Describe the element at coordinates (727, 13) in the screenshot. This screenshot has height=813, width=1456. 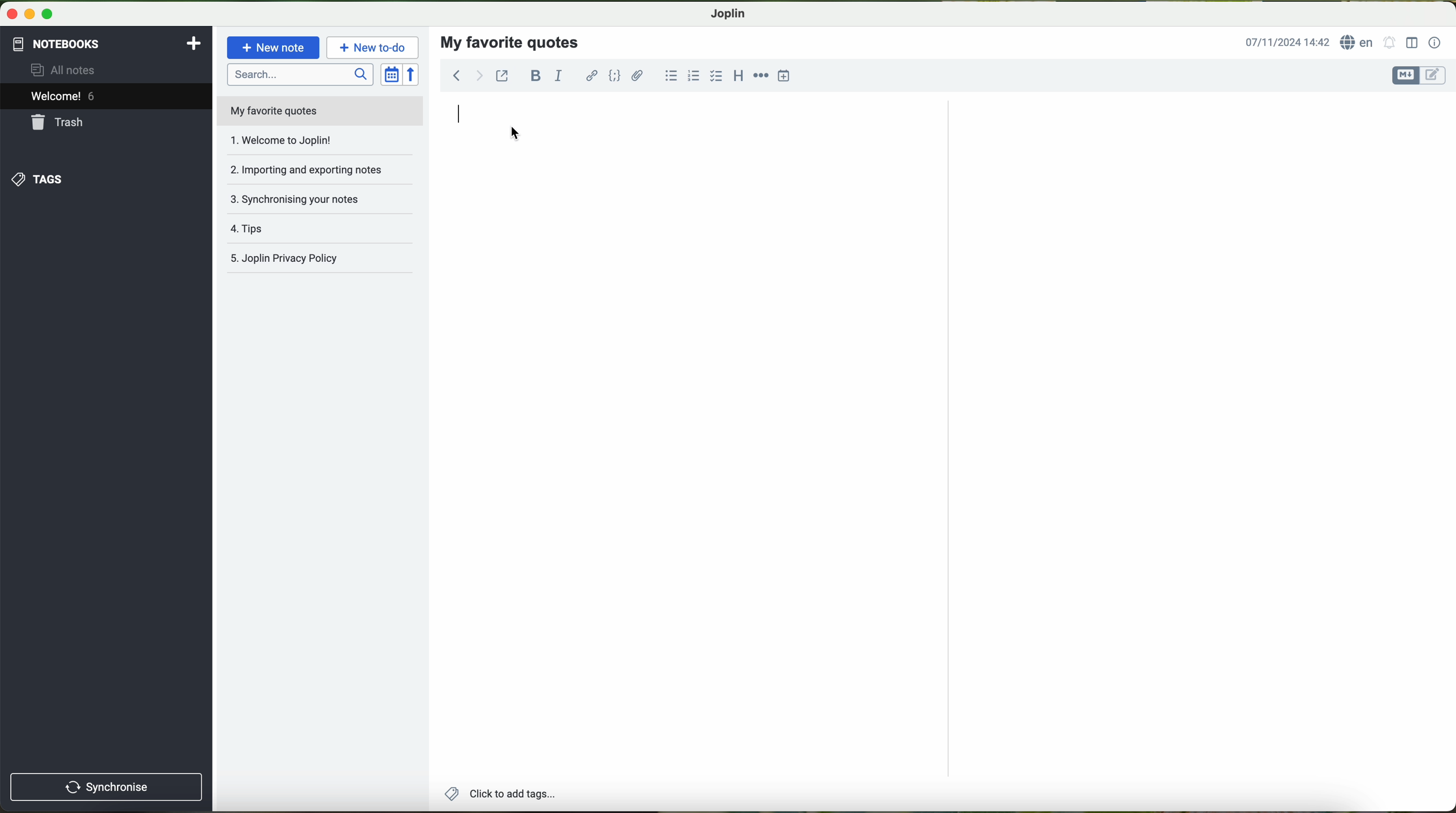
I see `Joplin` at that location.